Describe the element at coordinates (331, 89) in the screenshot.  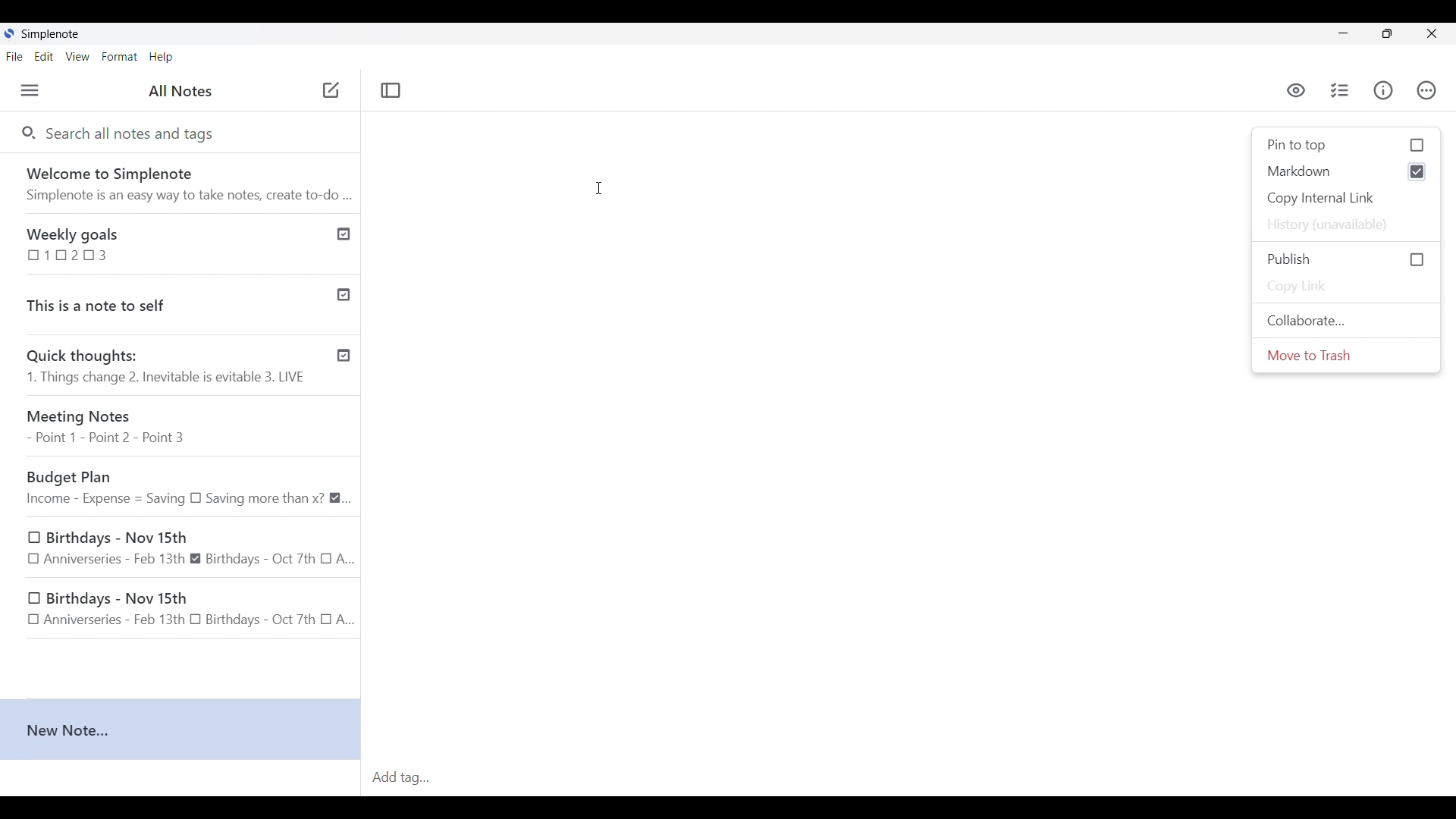
I see `Add new note` at that location.